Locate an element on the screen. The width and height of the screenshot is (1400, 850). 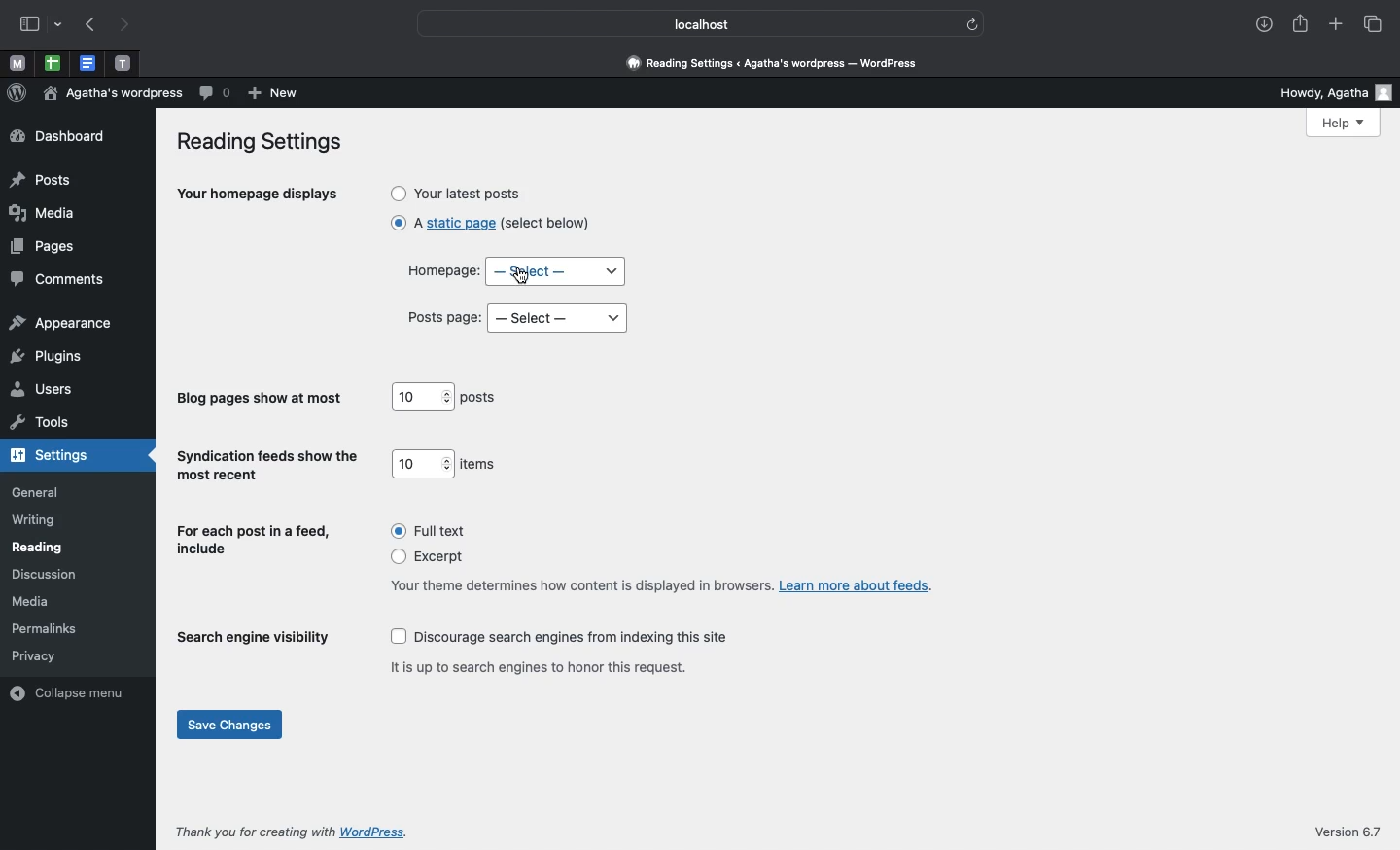
Sidebar is located at coordinates (28, 22).